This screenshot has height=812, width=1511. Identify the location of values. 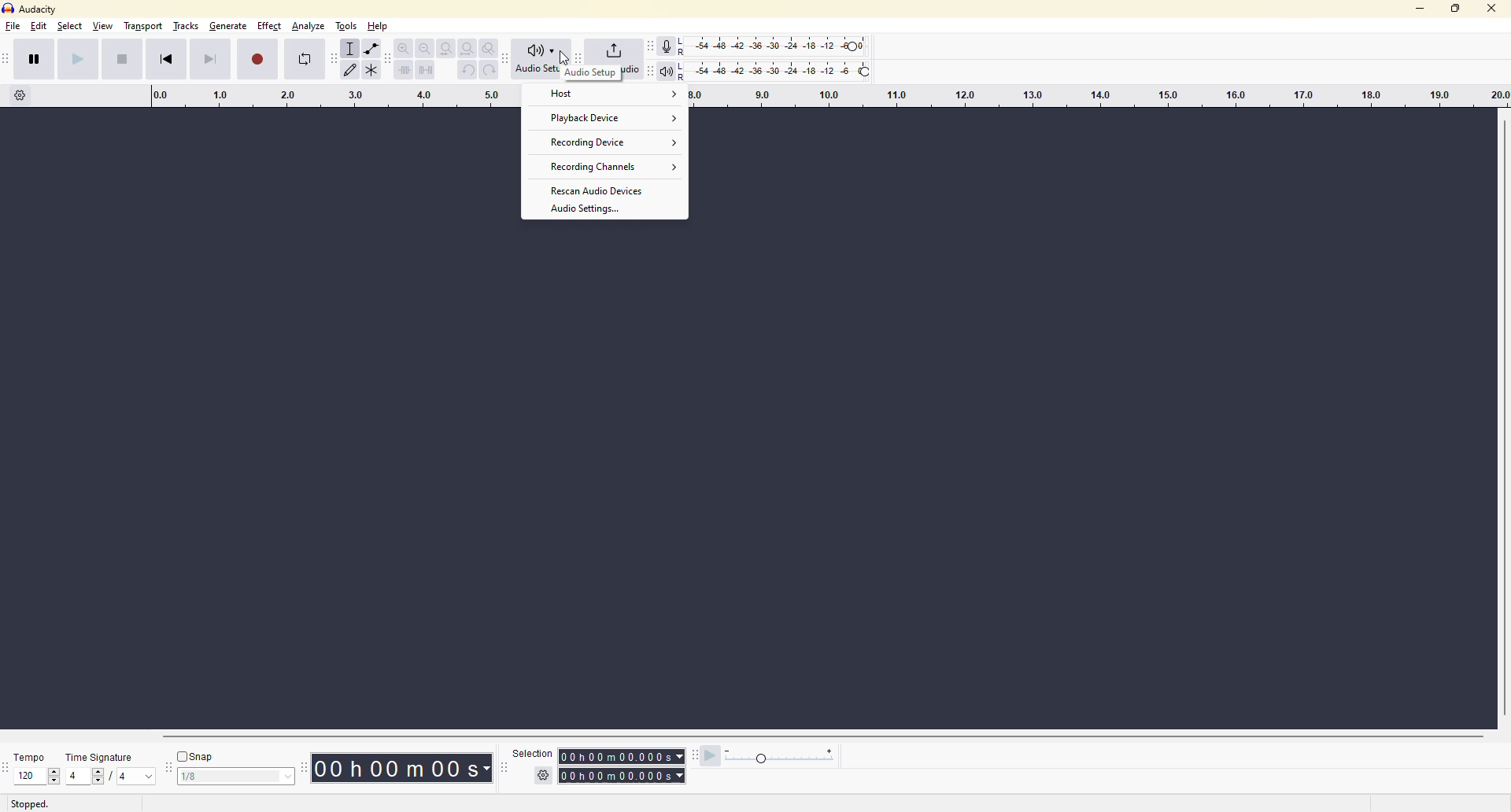
(77, 778).